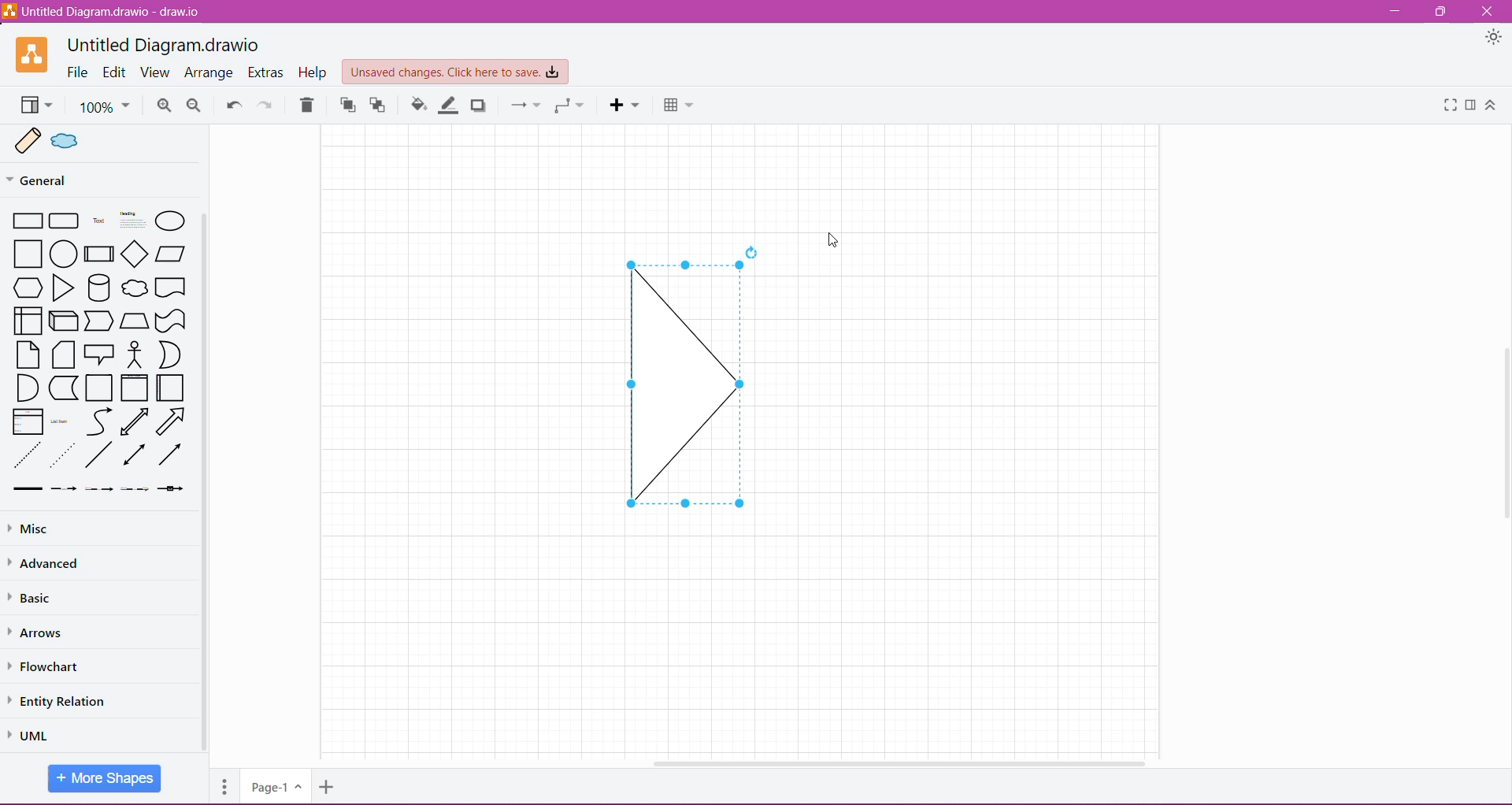  Describe the element at coordinates (69, 180) in the screenshot. I see `General` at that location.